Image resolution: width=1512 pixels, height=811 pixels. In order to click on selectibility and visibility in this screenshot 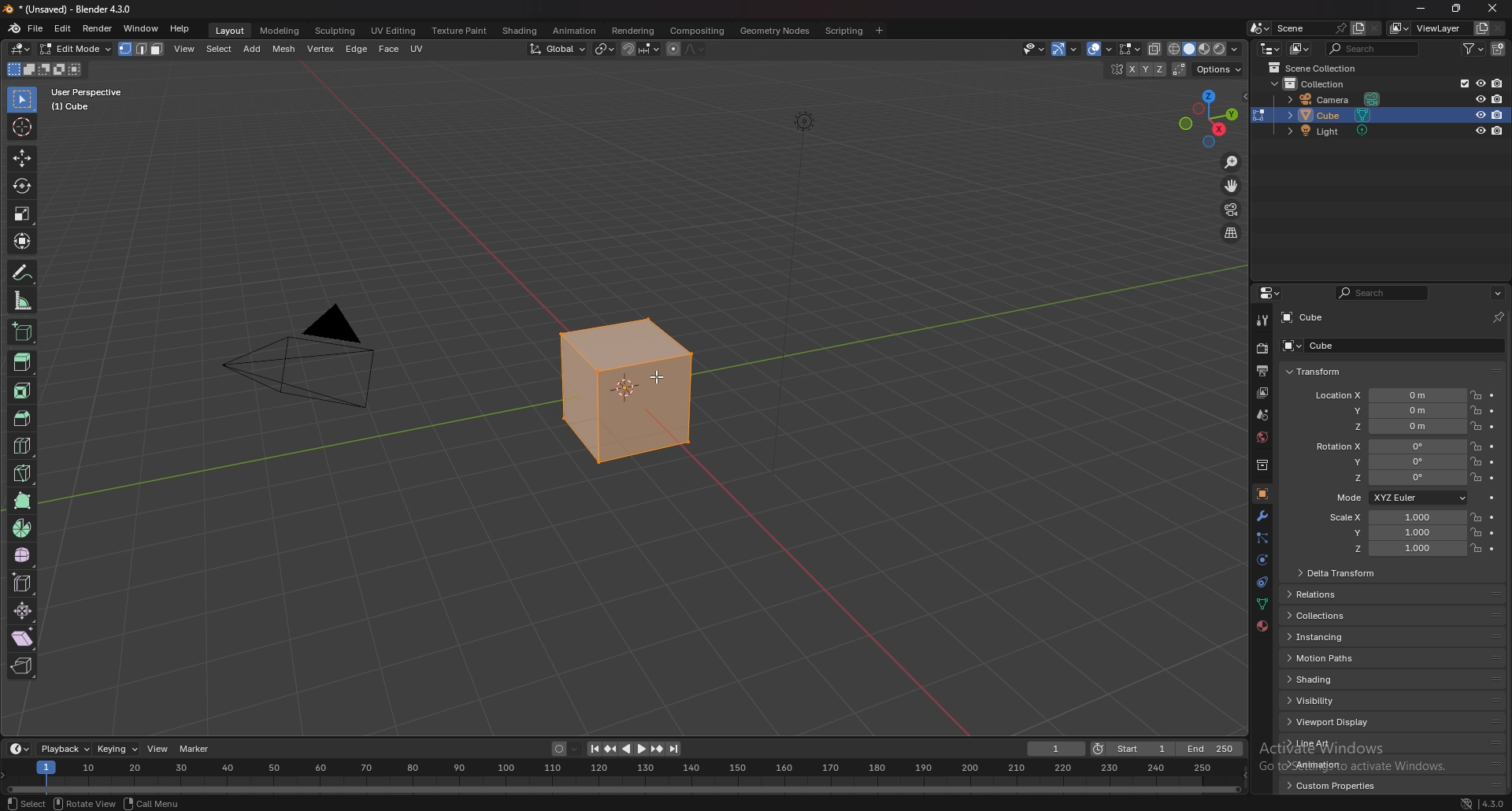, I will do `click(1032, 49)`.